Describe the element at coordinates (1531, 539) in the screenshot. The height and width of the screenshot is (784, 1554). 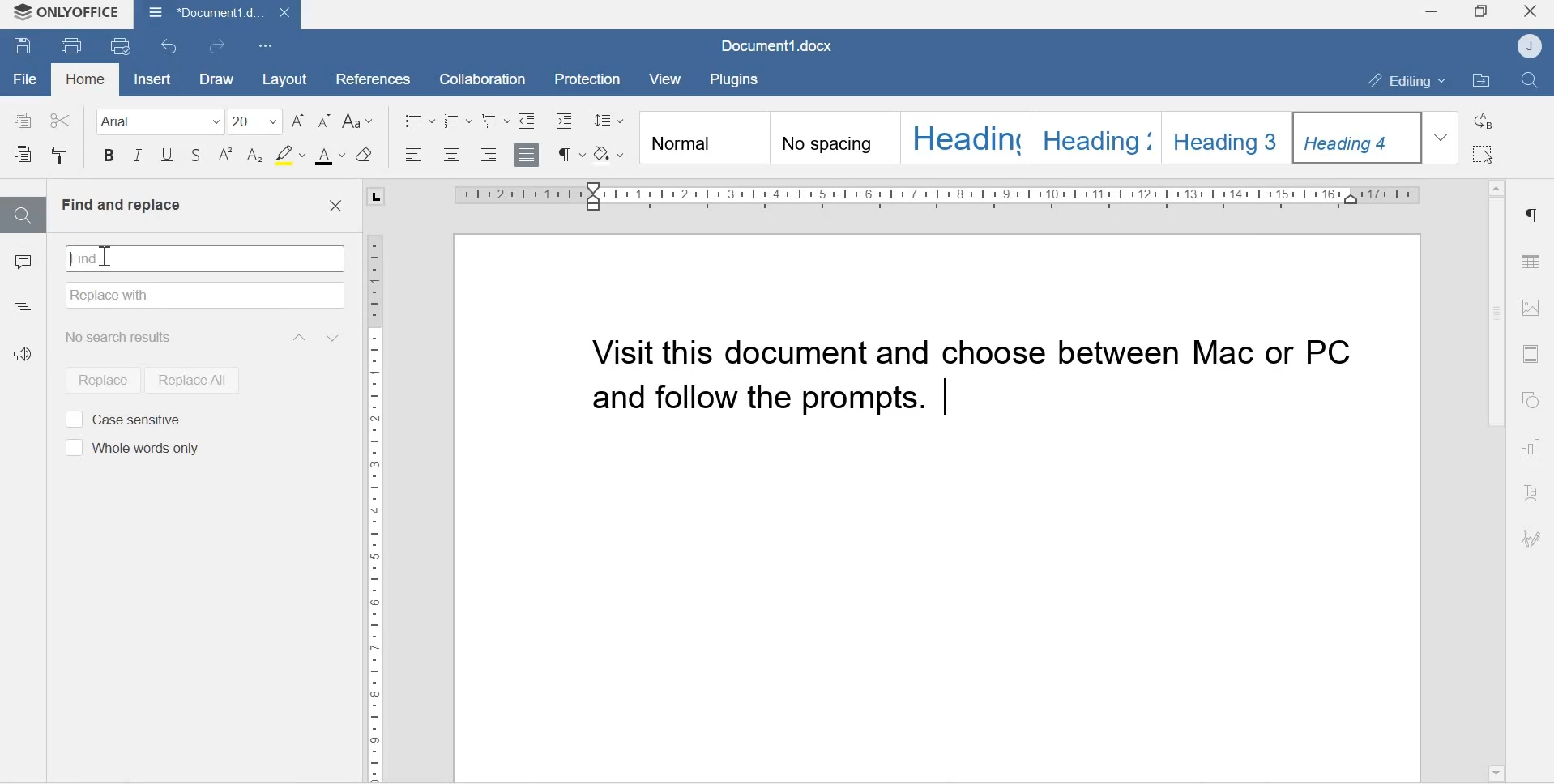
I see `Signature` at that location.